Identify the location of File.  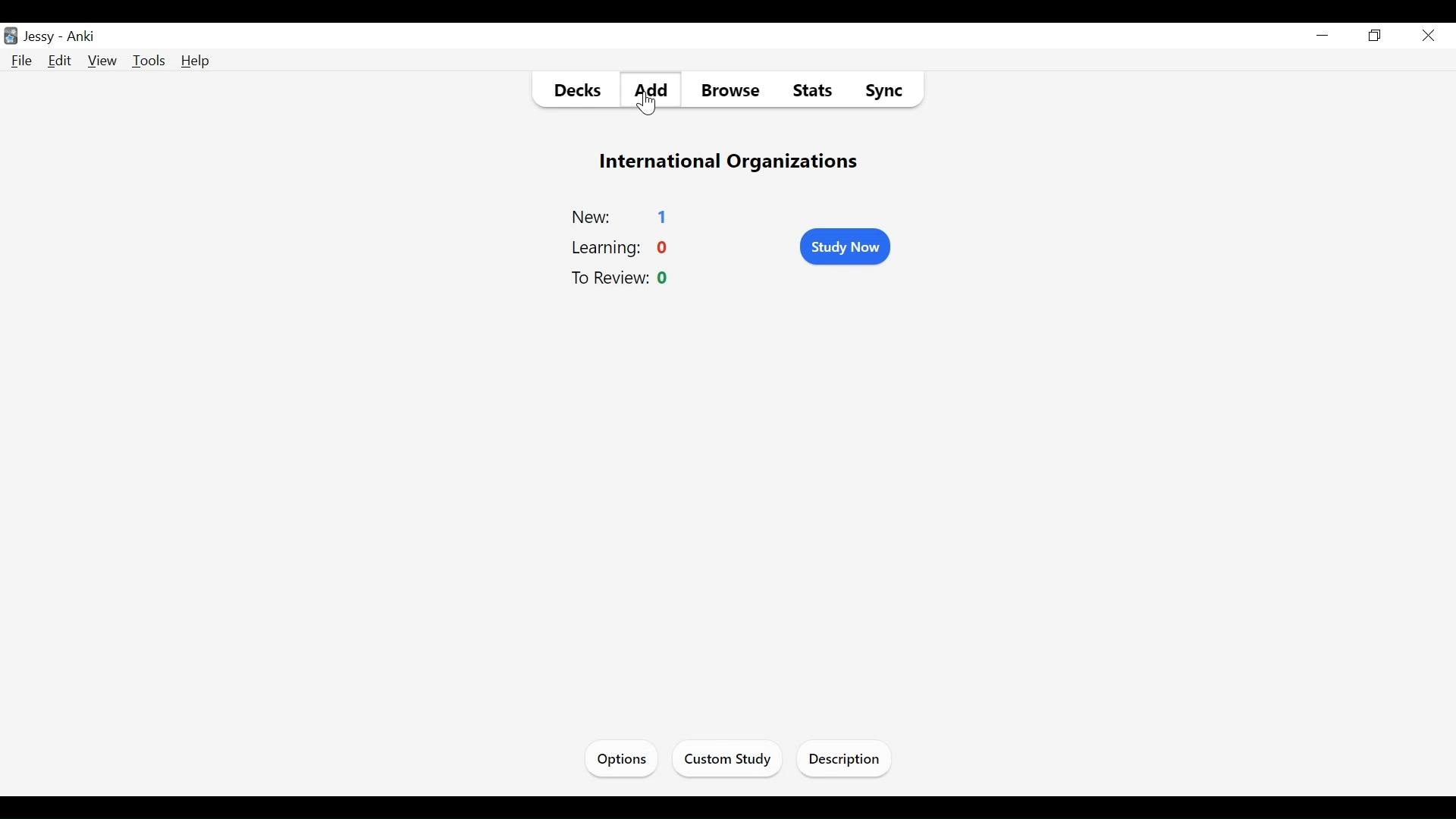
(22, 61).